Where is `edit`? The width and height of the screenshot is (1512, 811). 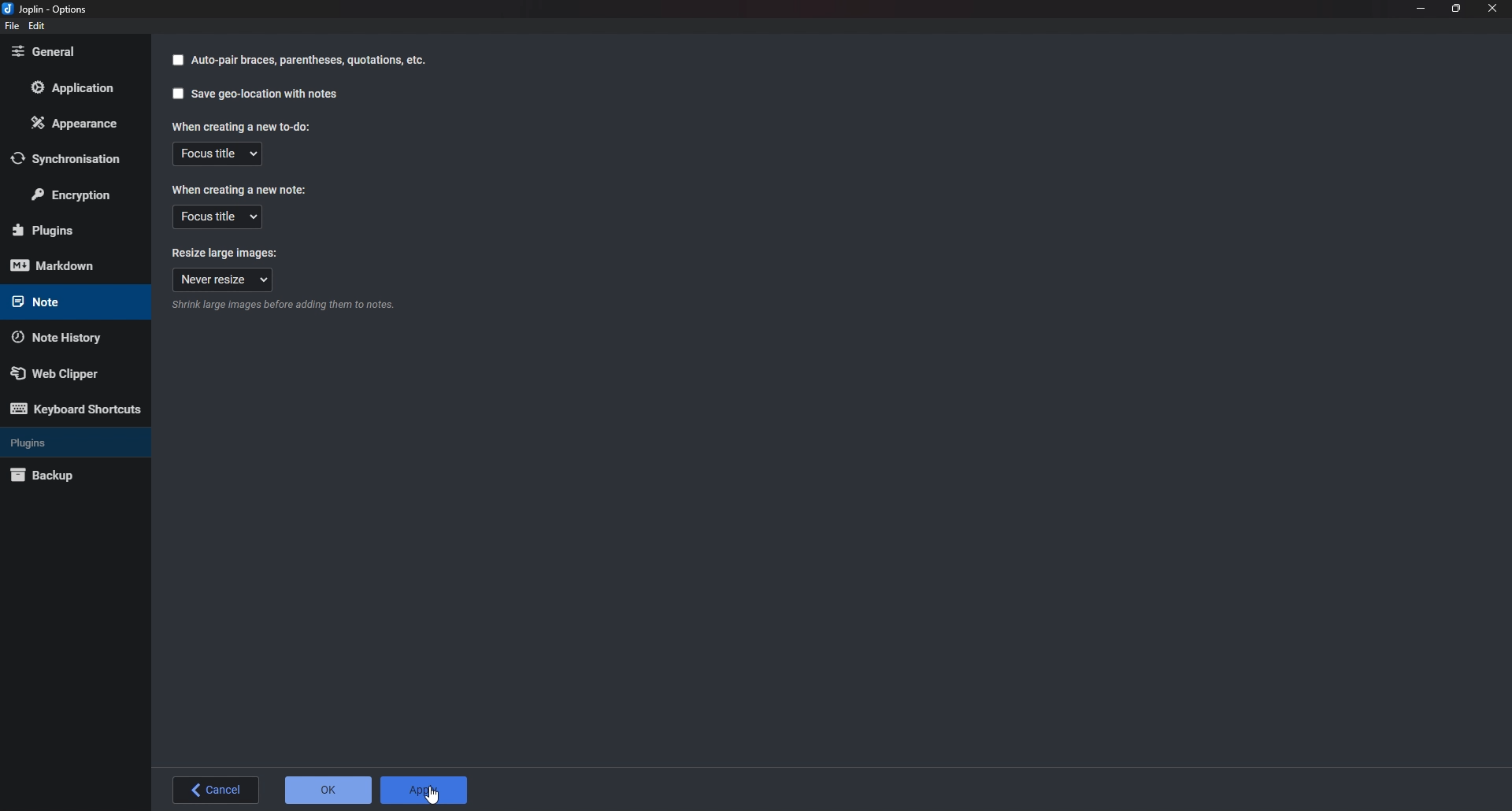
edit is located at coordinates (39, 26).